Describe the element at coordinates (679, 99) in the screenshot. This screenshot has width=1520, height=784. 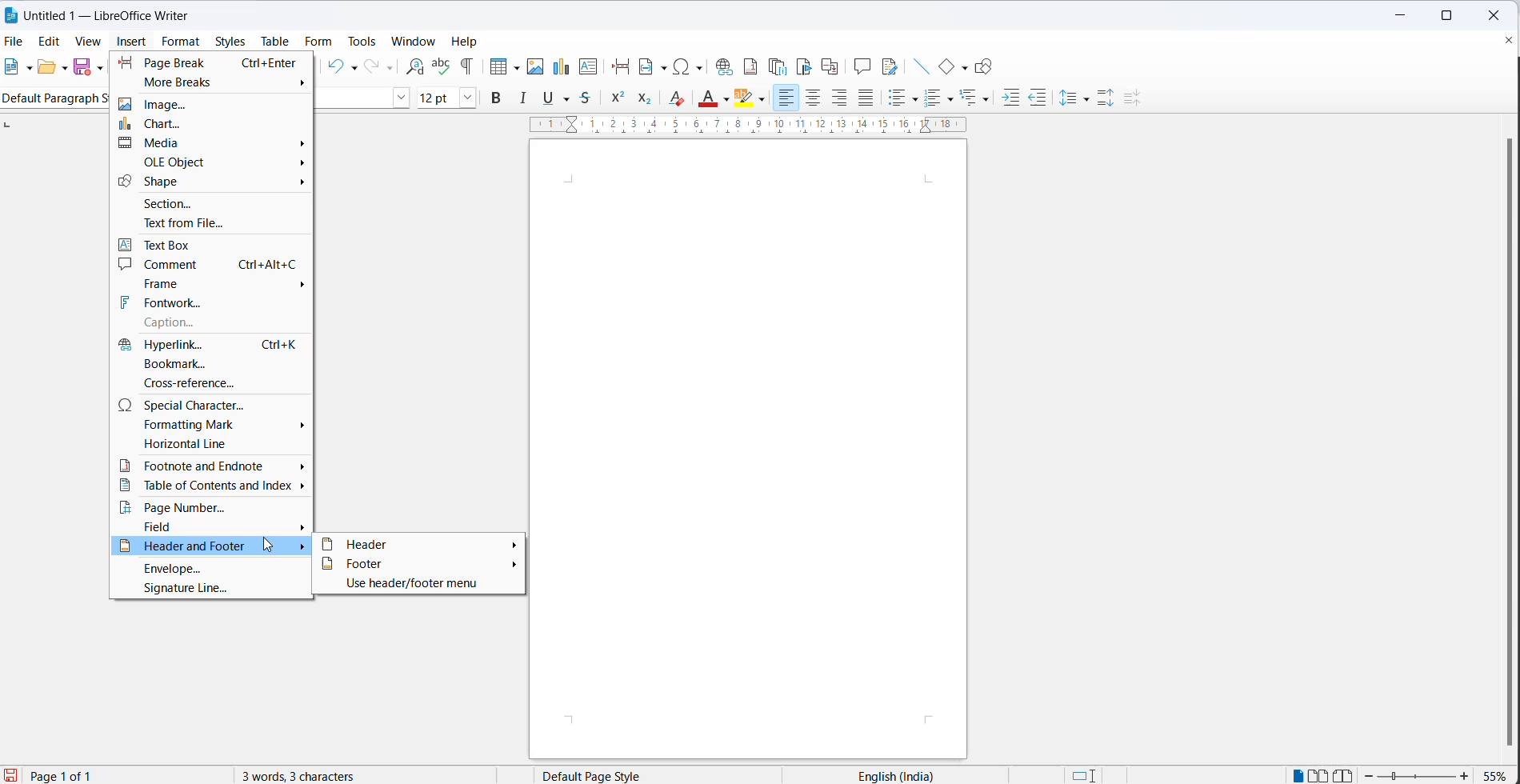
I see `clear direct formatting` at that location.